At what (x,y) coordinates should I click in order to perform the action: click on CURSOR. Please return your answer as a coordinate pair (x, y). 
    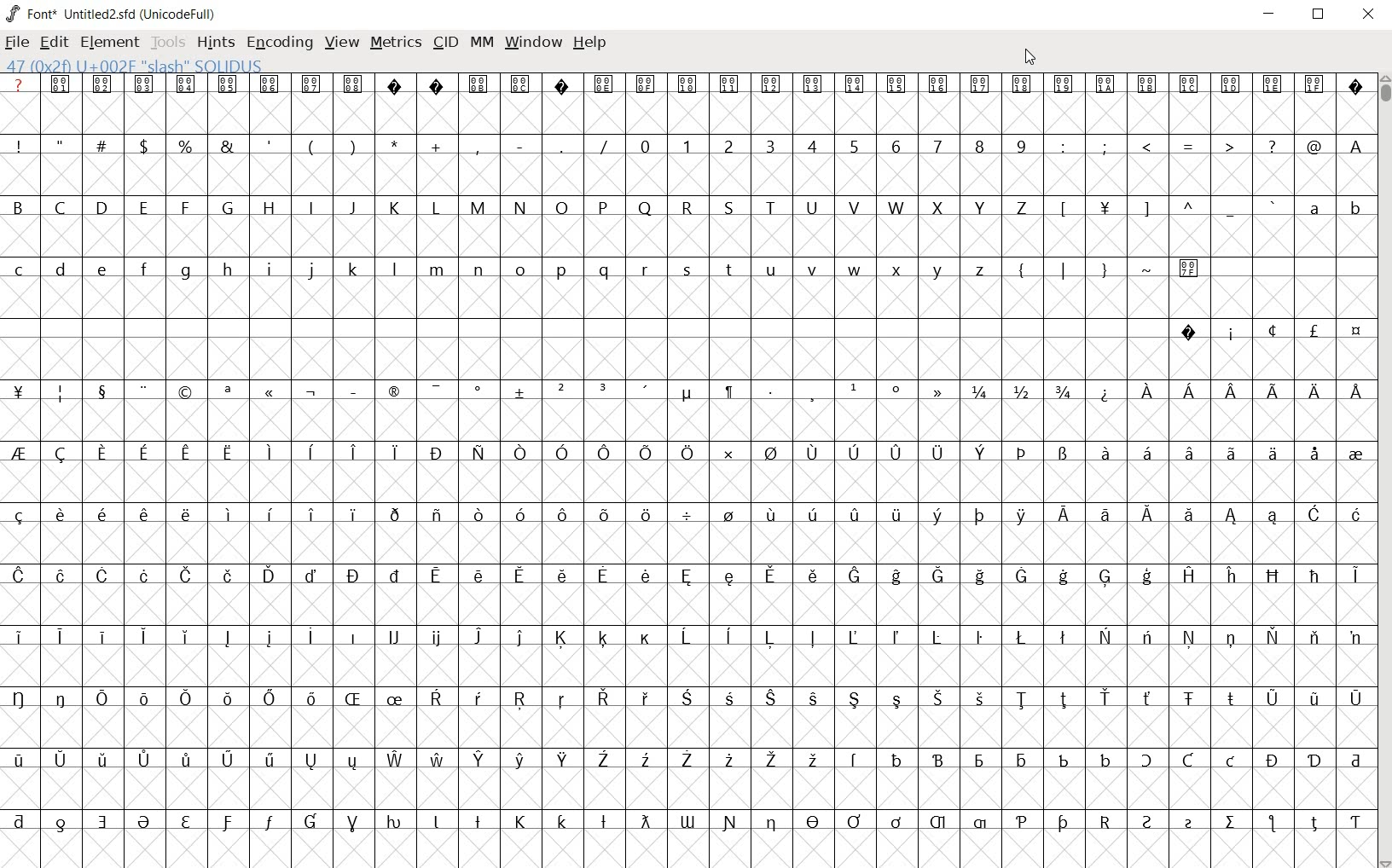
    Looking at the image, I should click on (1021, 58).